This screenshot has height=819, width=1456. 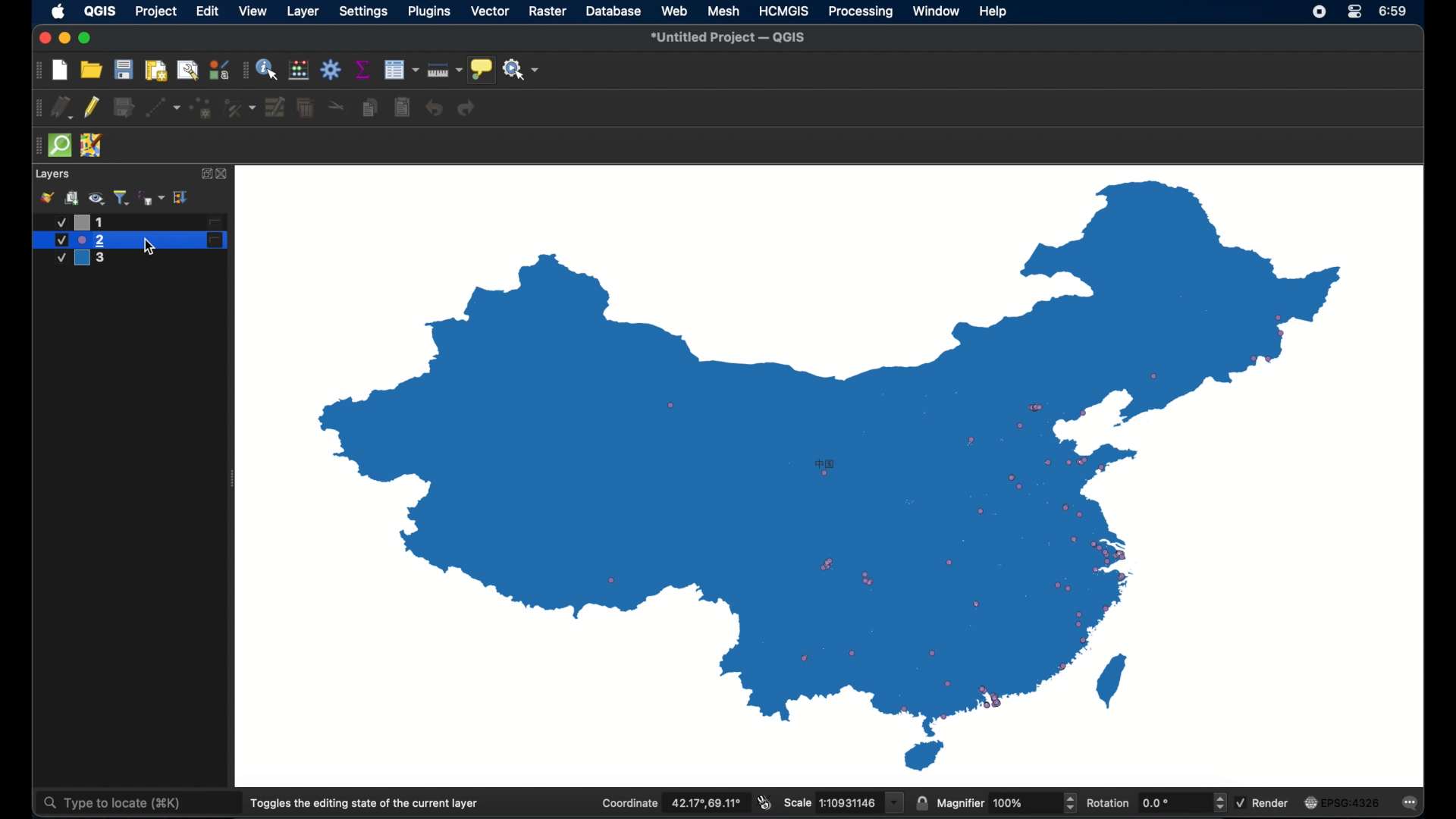 I want to click on style manager, so click(x=219, y=69).